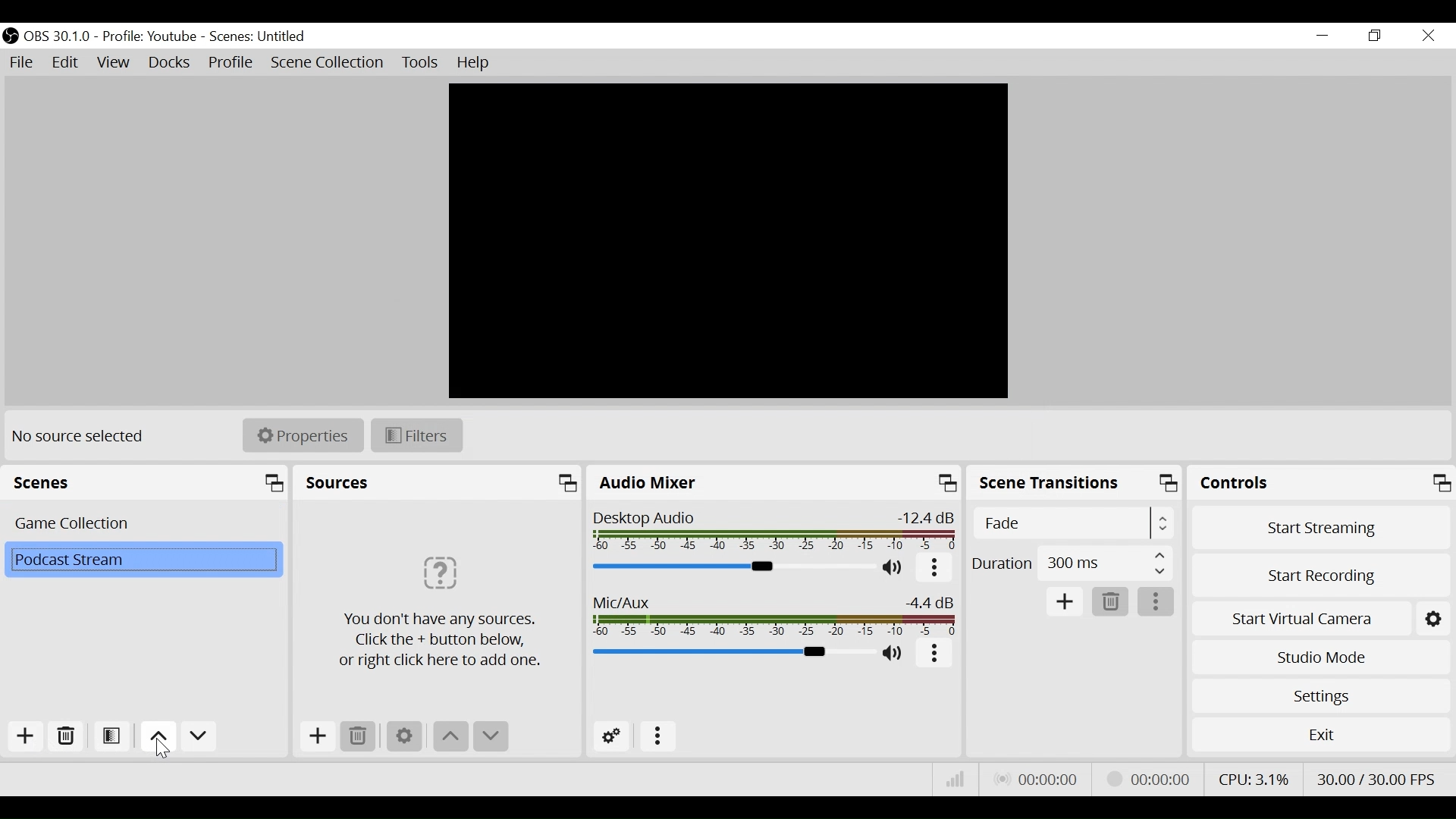 The height and width of the screenshot is (819, 1456). I want to click on OBS Desktop Icon, so click(10, 36).